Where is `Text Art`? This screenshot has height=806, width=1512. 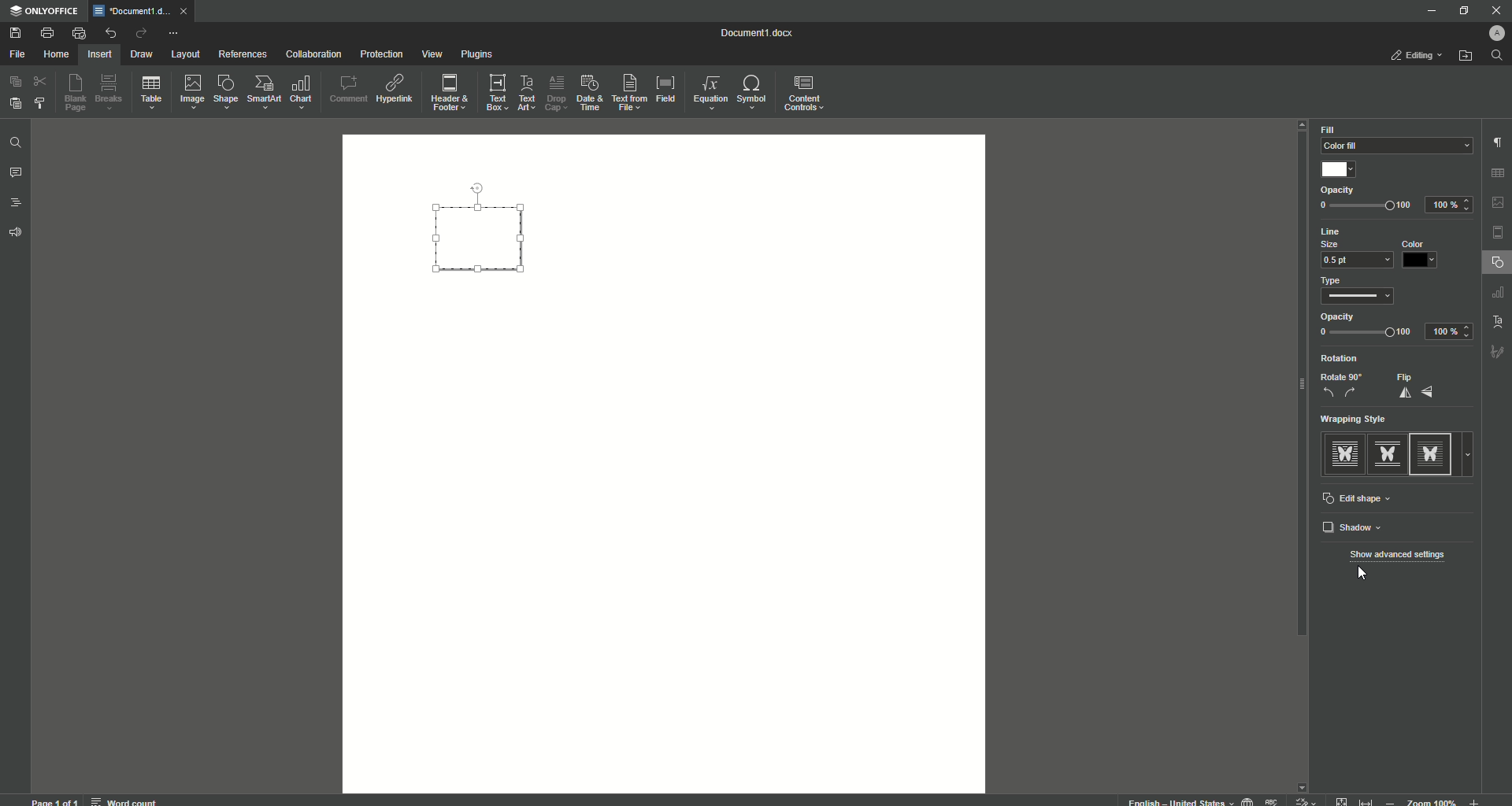 Text Art is located at coordinates (524, 94).